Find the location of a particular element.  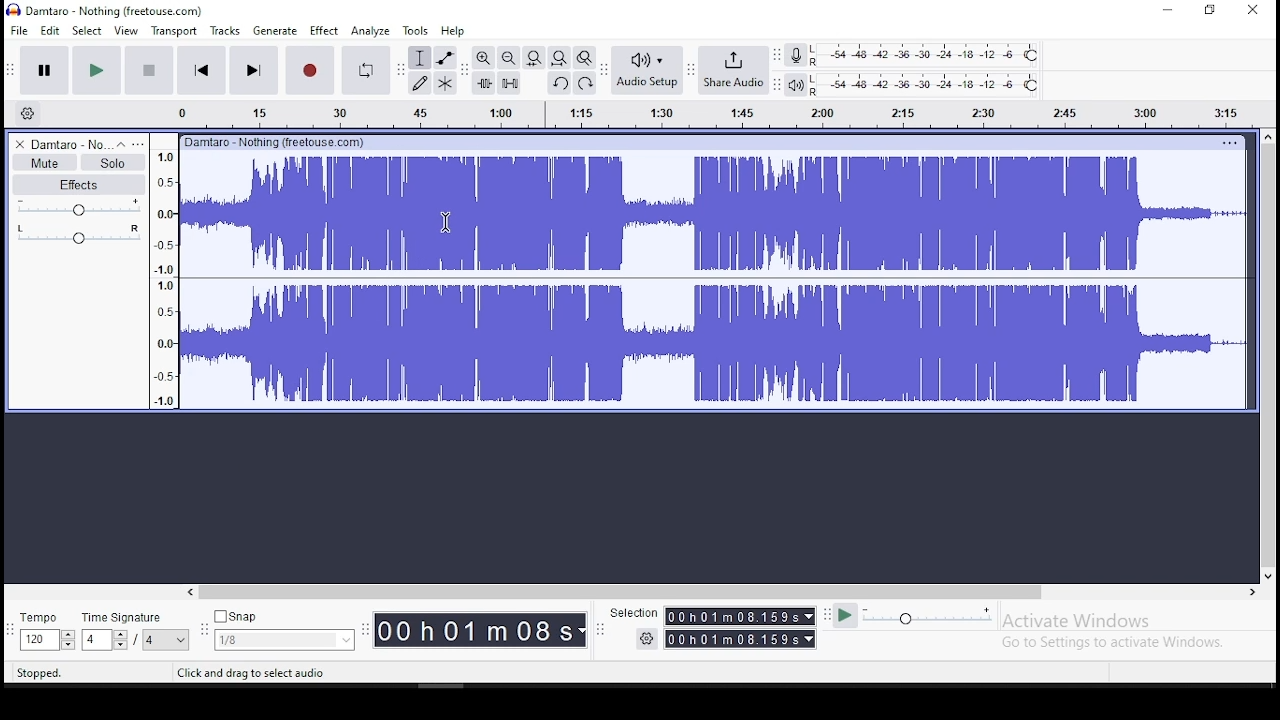

Drop down is located at coordinates (582, 631).